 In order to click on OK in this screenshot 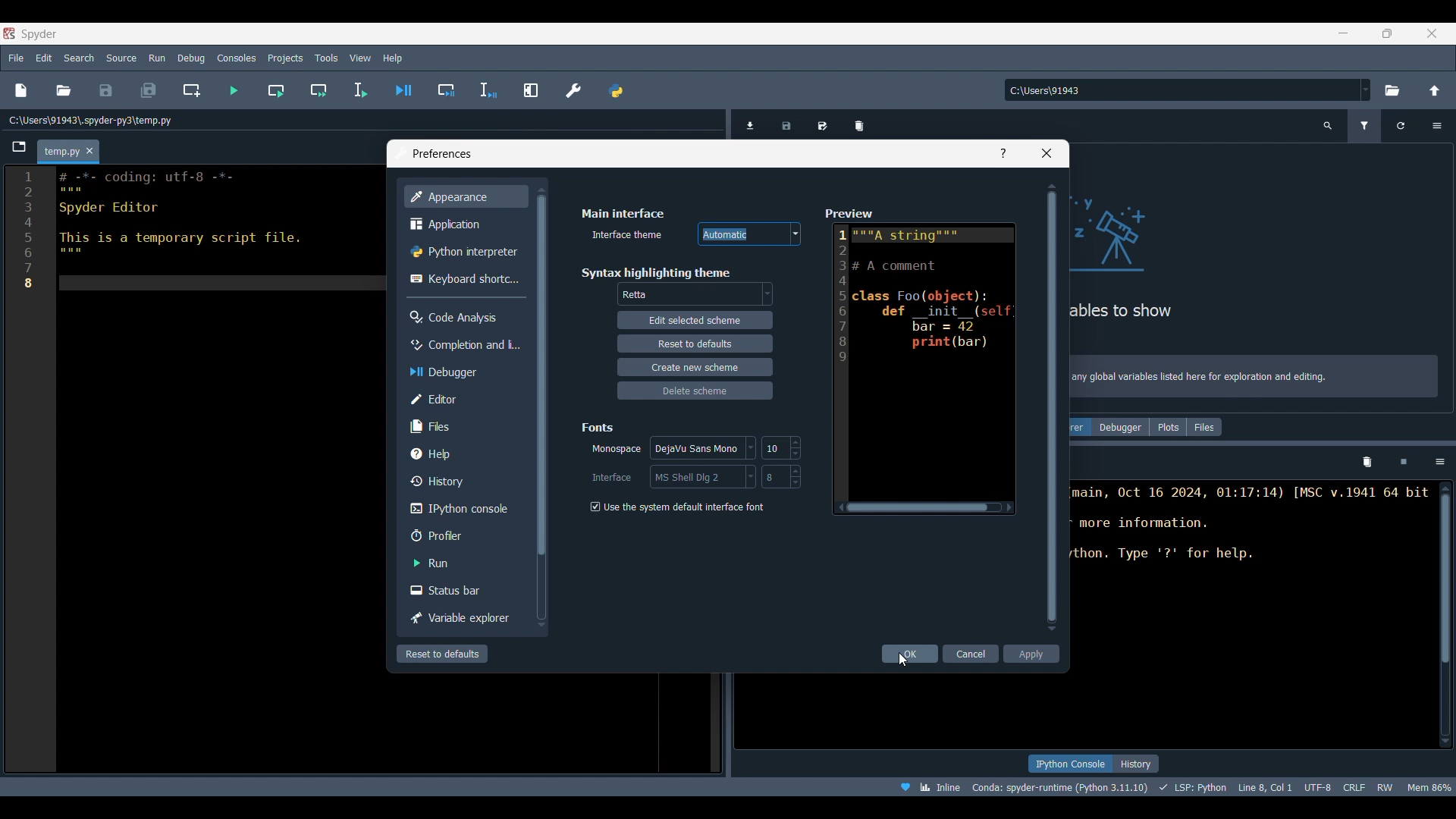, I will do `click(911, 654)`.